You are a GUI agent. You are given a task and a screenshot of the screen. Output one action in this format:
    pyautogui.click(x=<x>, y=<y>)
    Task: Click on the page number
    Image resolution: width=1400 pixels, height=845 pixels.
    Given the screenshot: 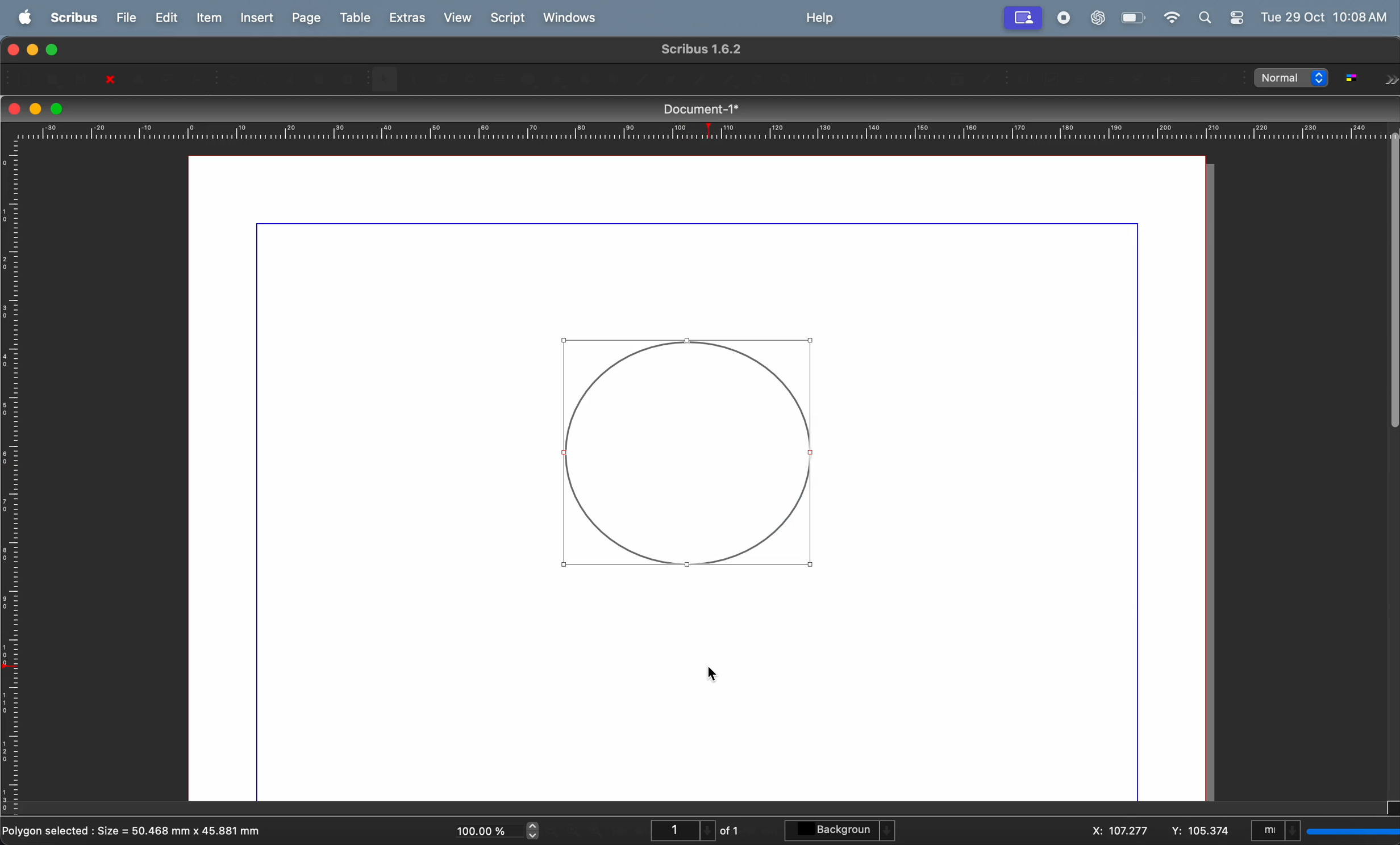 What is the action you would take?
    pyautogui.click(x=694, y=830)
    